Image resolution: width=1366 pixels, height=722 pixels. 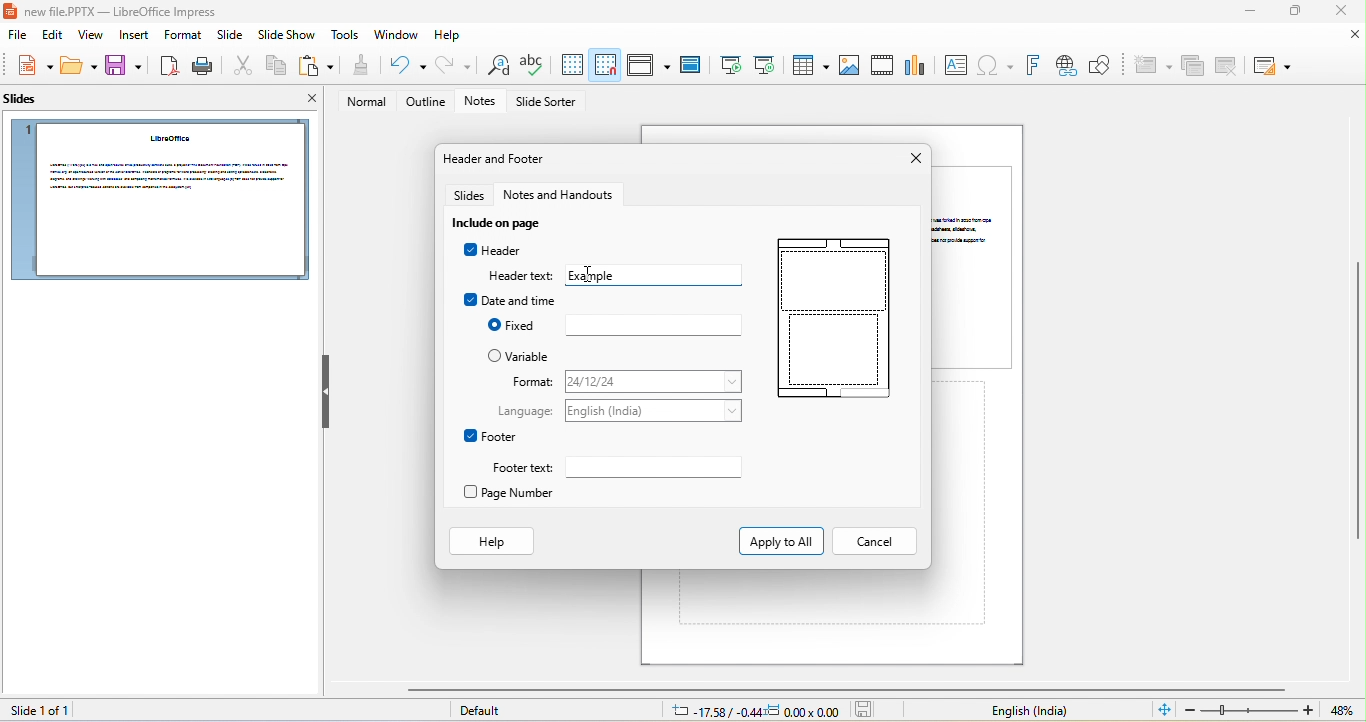 What do you see at coordinates (454, 65) in the screenshot?
I see `redo` at bounding box center [454, 65].